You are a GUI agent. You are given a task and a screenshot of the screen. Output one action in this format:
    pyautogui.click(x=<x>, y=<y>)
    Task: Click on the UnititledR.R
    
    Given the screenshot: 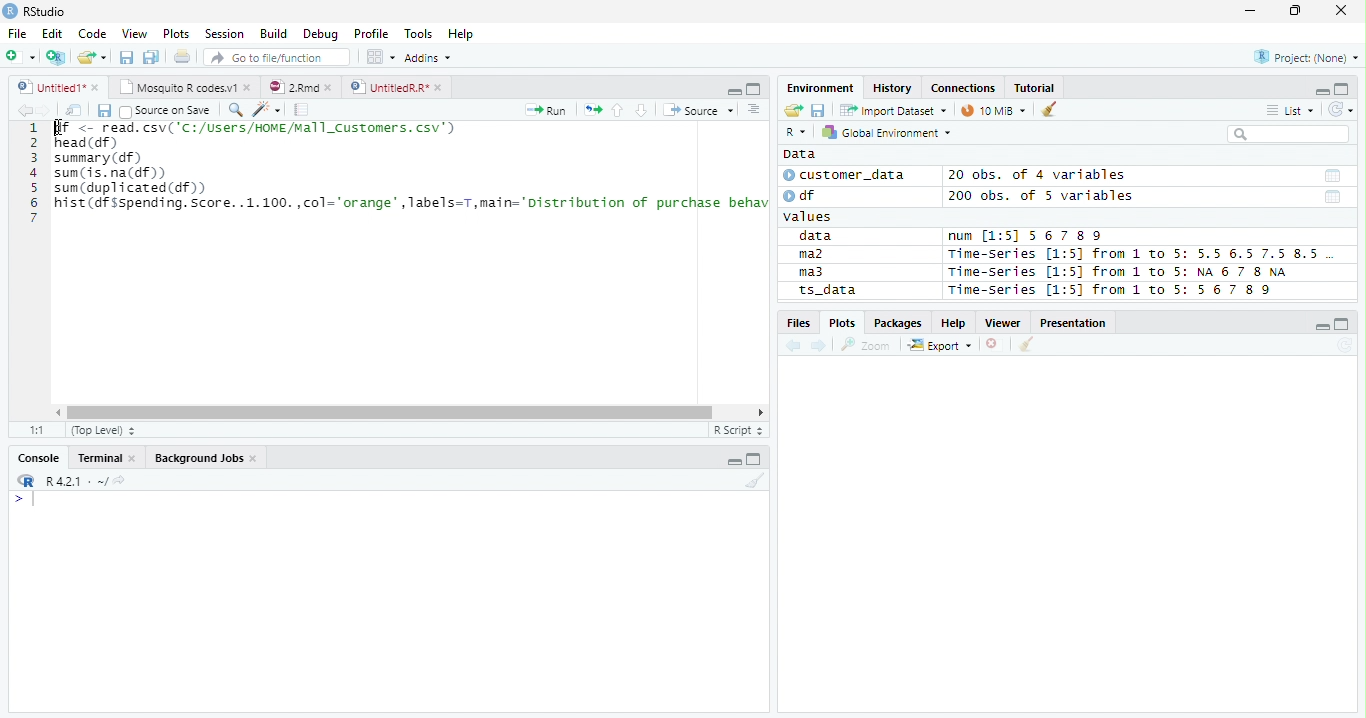 What is the action you would take?
    pyautogui.click(x=398, y=88)
    